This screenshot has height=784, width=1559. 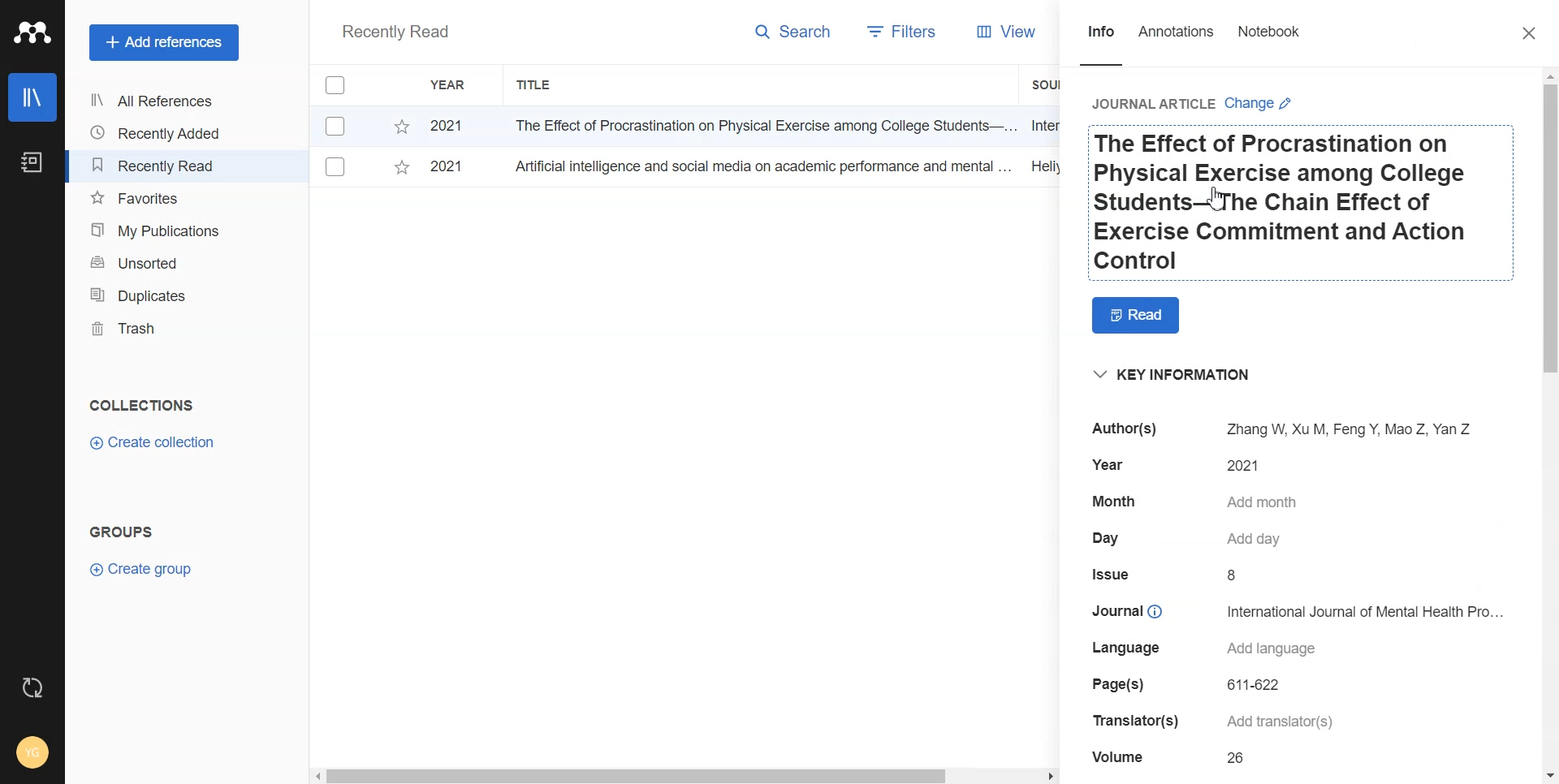 What do you see at coordinates (794, 35) in the screenshot?
I see `Search` at bounding box center [794, 35].